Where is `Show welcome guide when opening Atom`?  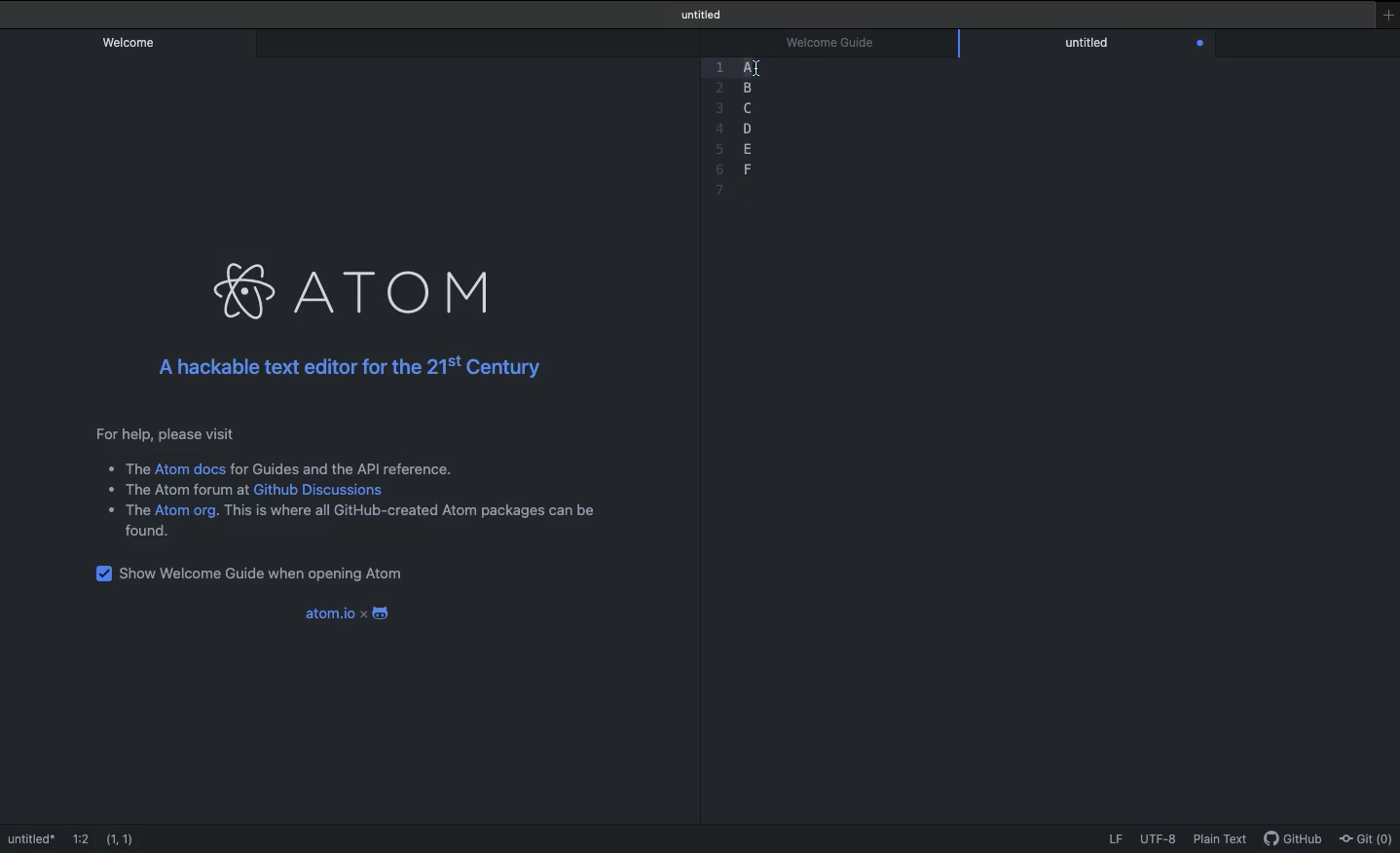
Show welcome guide when opening Atom is located at coordinates (258, 571).